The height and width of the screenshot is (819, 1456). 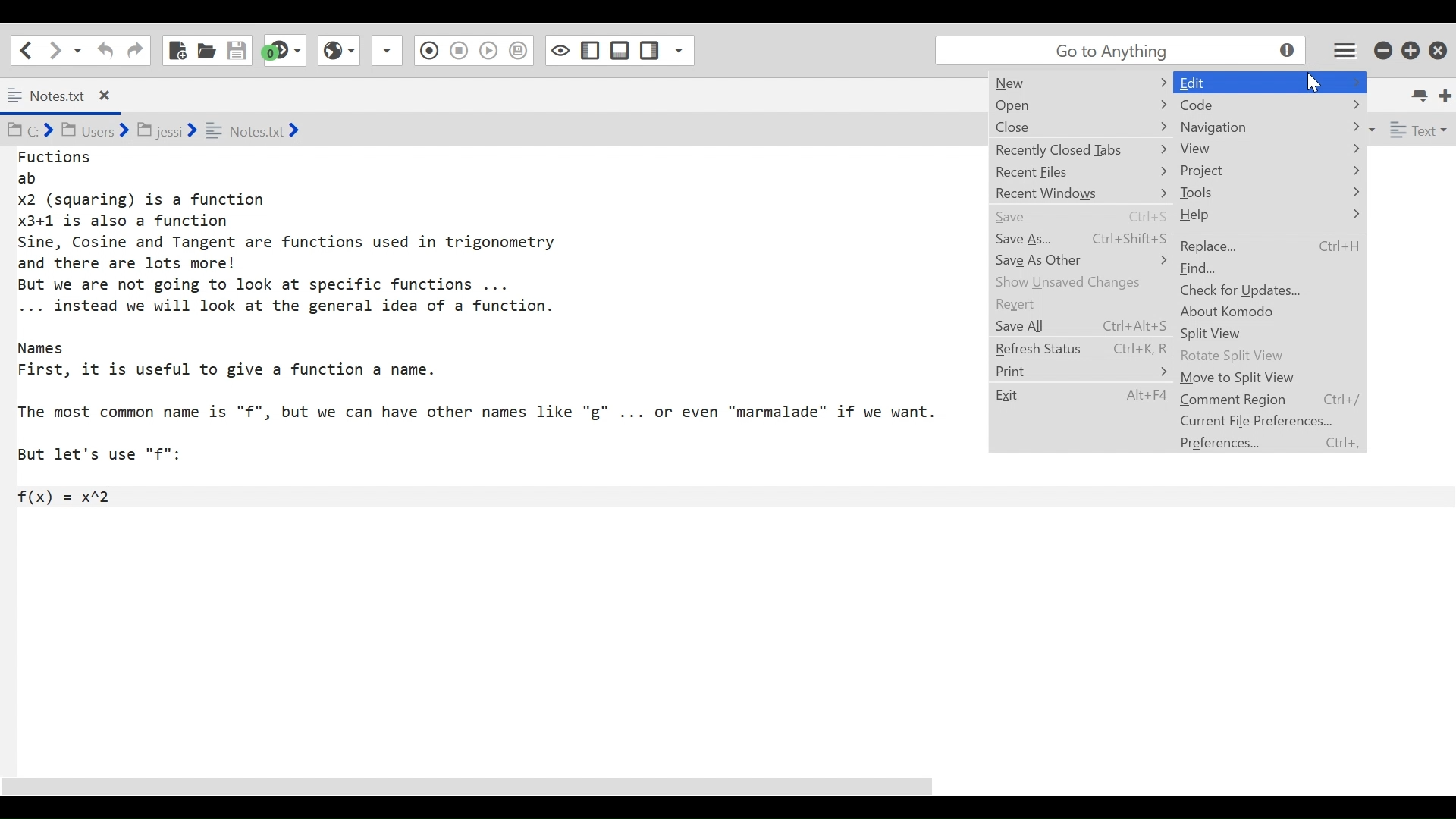 I want to click on go to anything, so click(x=1124, y=51).